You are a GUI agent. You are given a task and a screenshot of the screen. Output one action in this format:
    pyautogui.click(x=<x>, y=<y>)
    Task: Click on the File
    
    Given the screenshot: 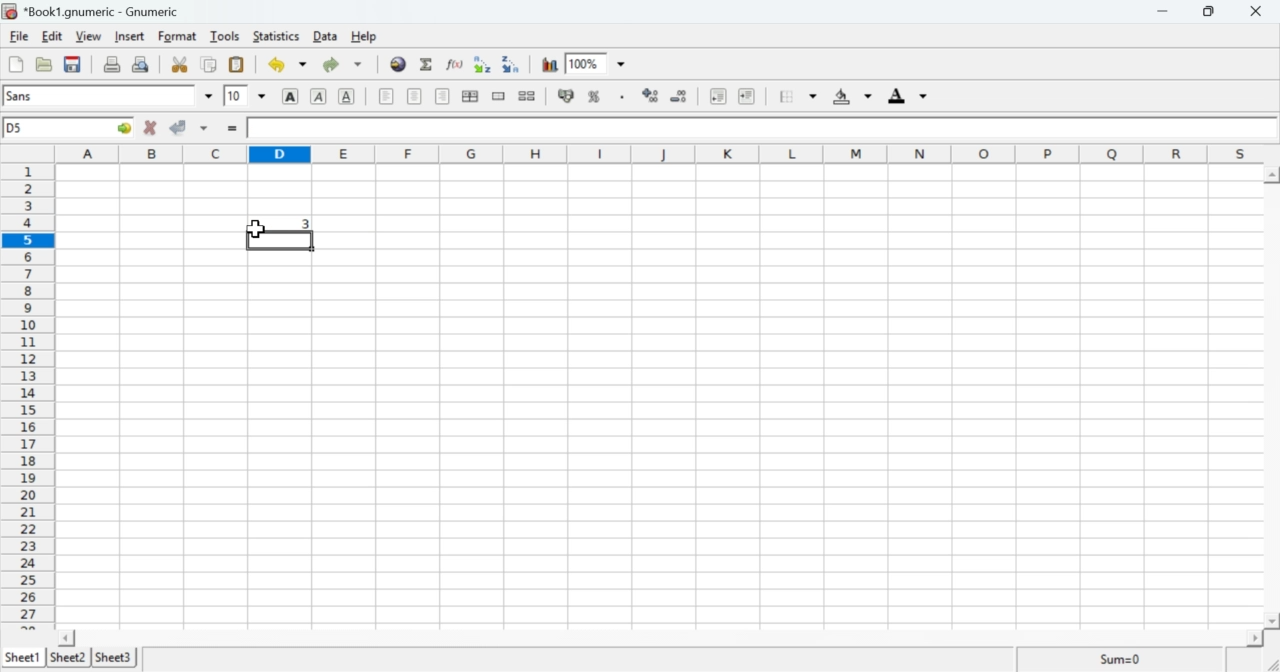 What is the action you would take?
    pyautogui.click(x=19, y=37)
    